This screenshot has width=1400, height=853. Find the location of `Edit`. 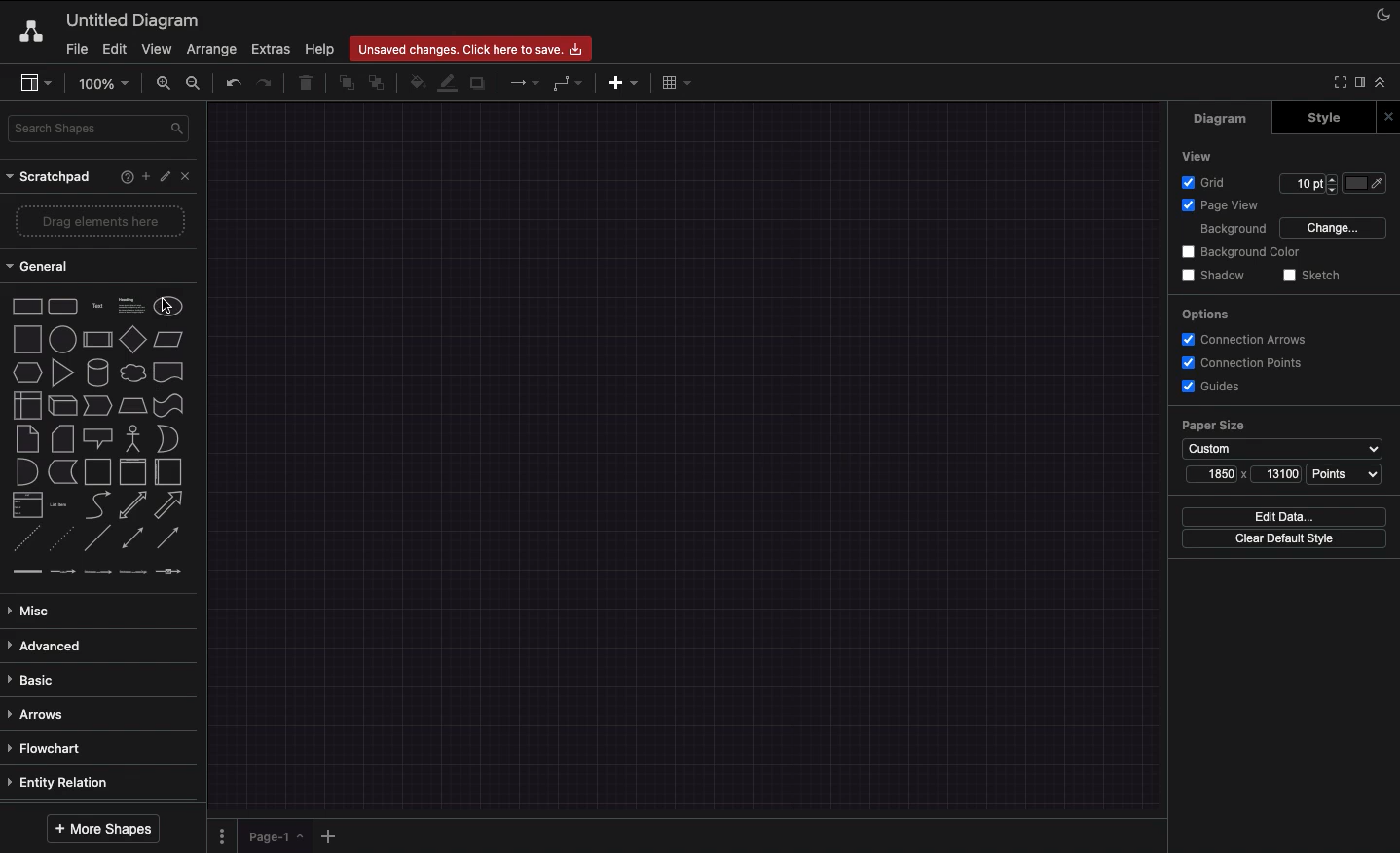

Edit is located at coordinates (112, 49).